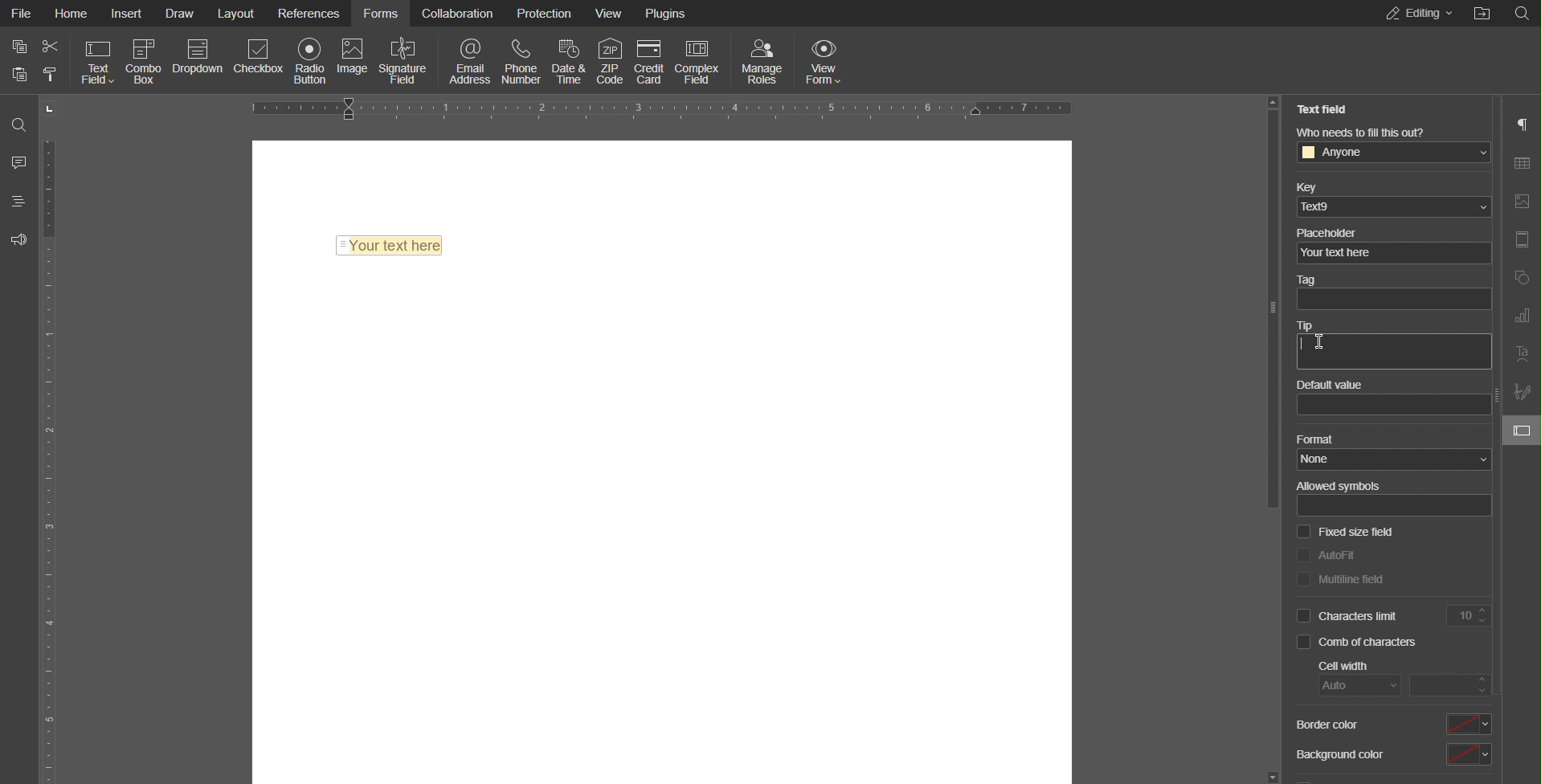 This screenshot has height=784, width=1541. What do you see at coordinates (16, 201) in the screenshot?
I see `Headings` at bounding box center [16, 201].